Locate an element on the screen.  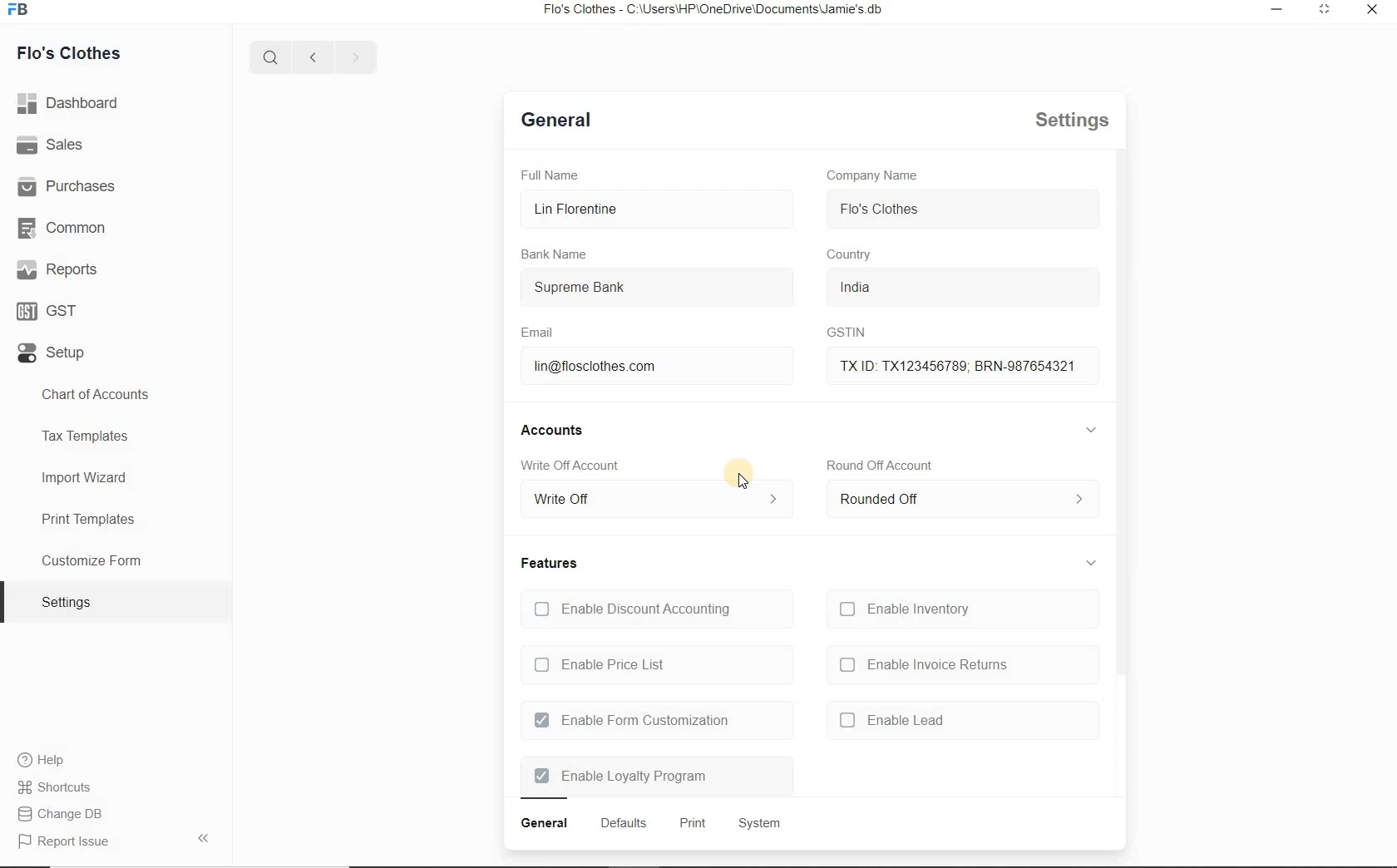
Round Off Account is located at coordinates (878, 464).